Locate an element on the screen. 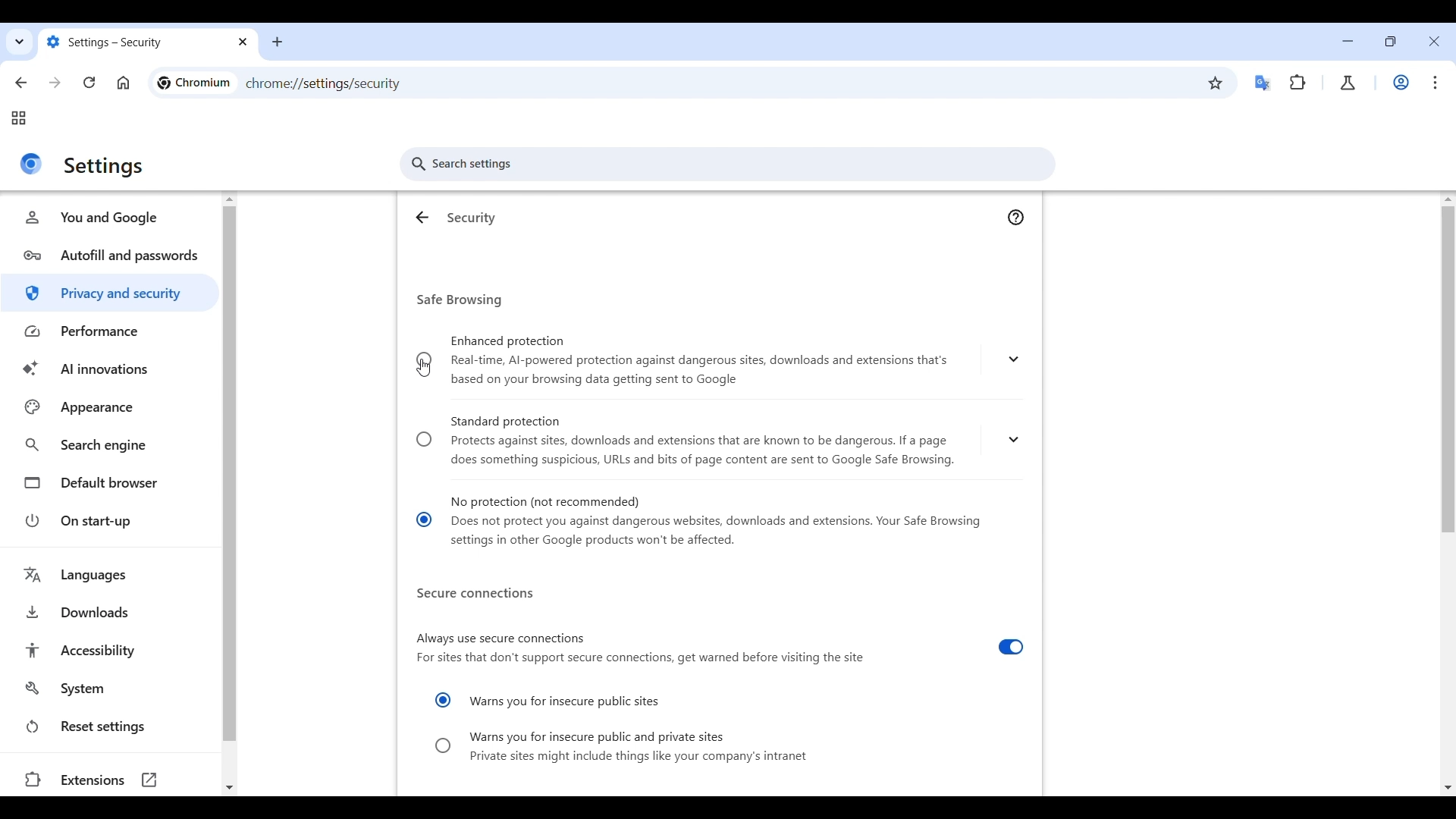  chromium is located at coordinates (193, 83).